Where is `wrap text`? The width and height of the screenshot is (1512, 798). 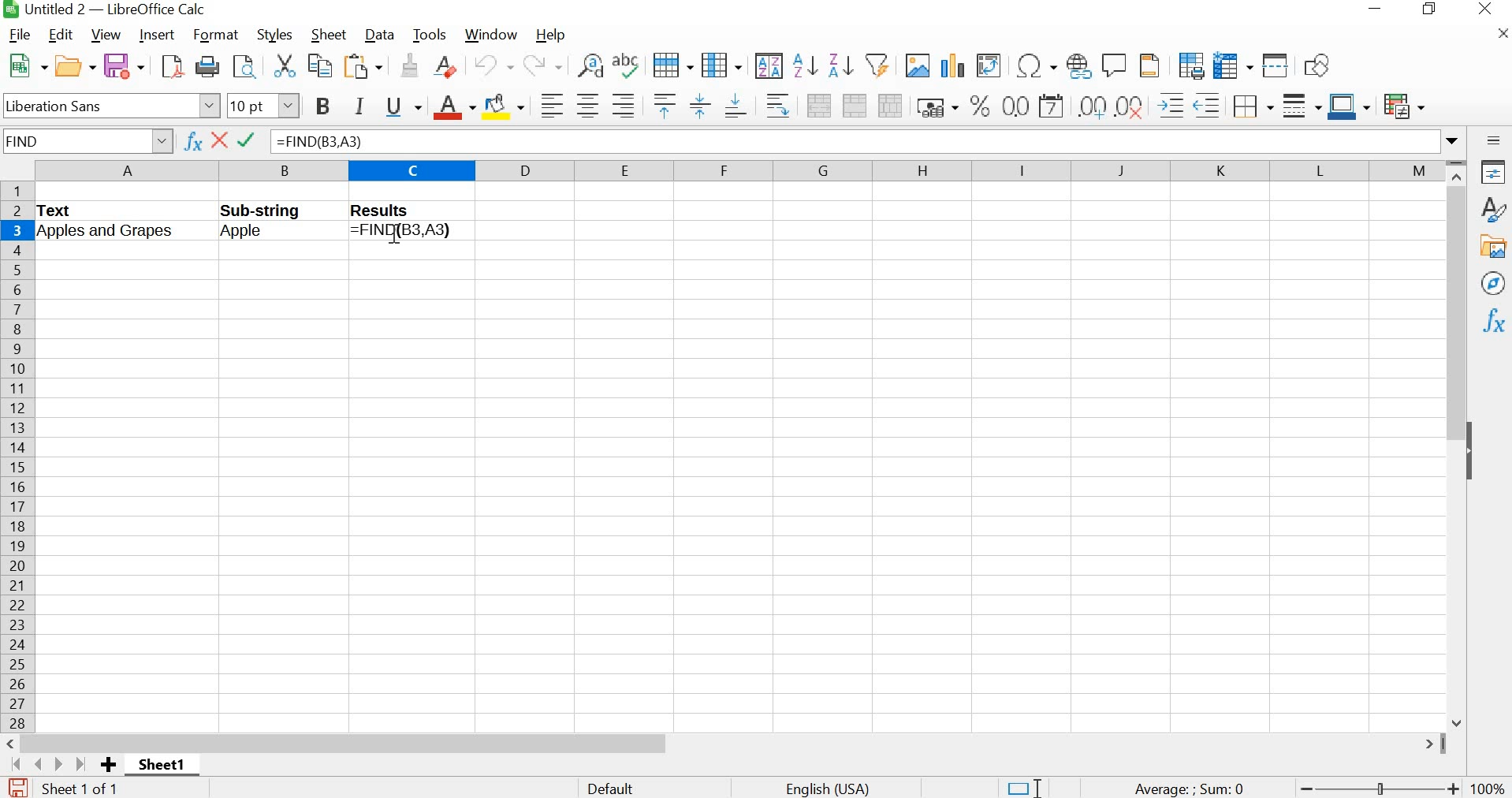
wrap text is located at coordinates (777, 106).